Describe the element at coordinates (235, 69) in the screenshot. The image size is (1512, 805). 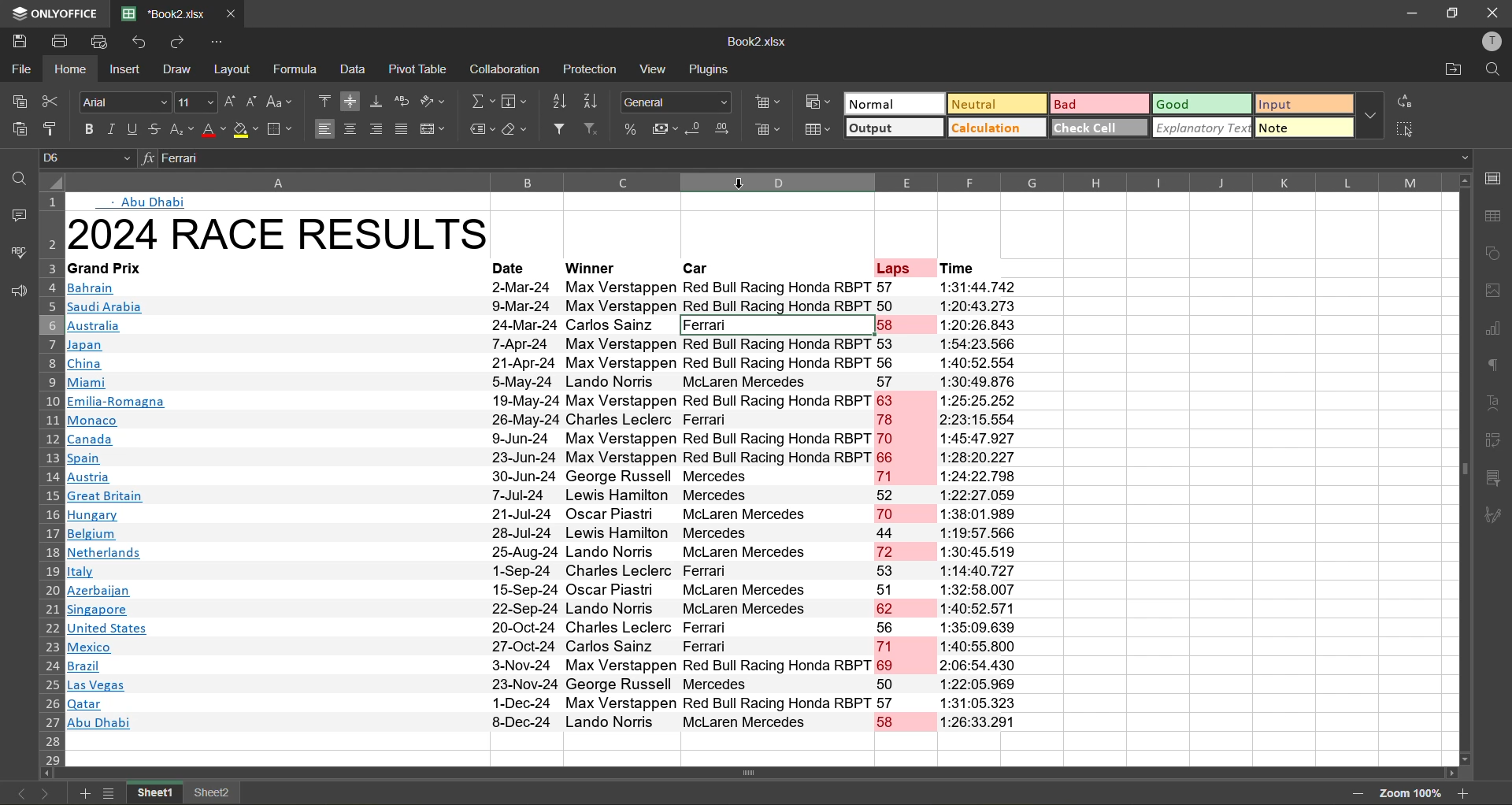
I see `layout` at that location.